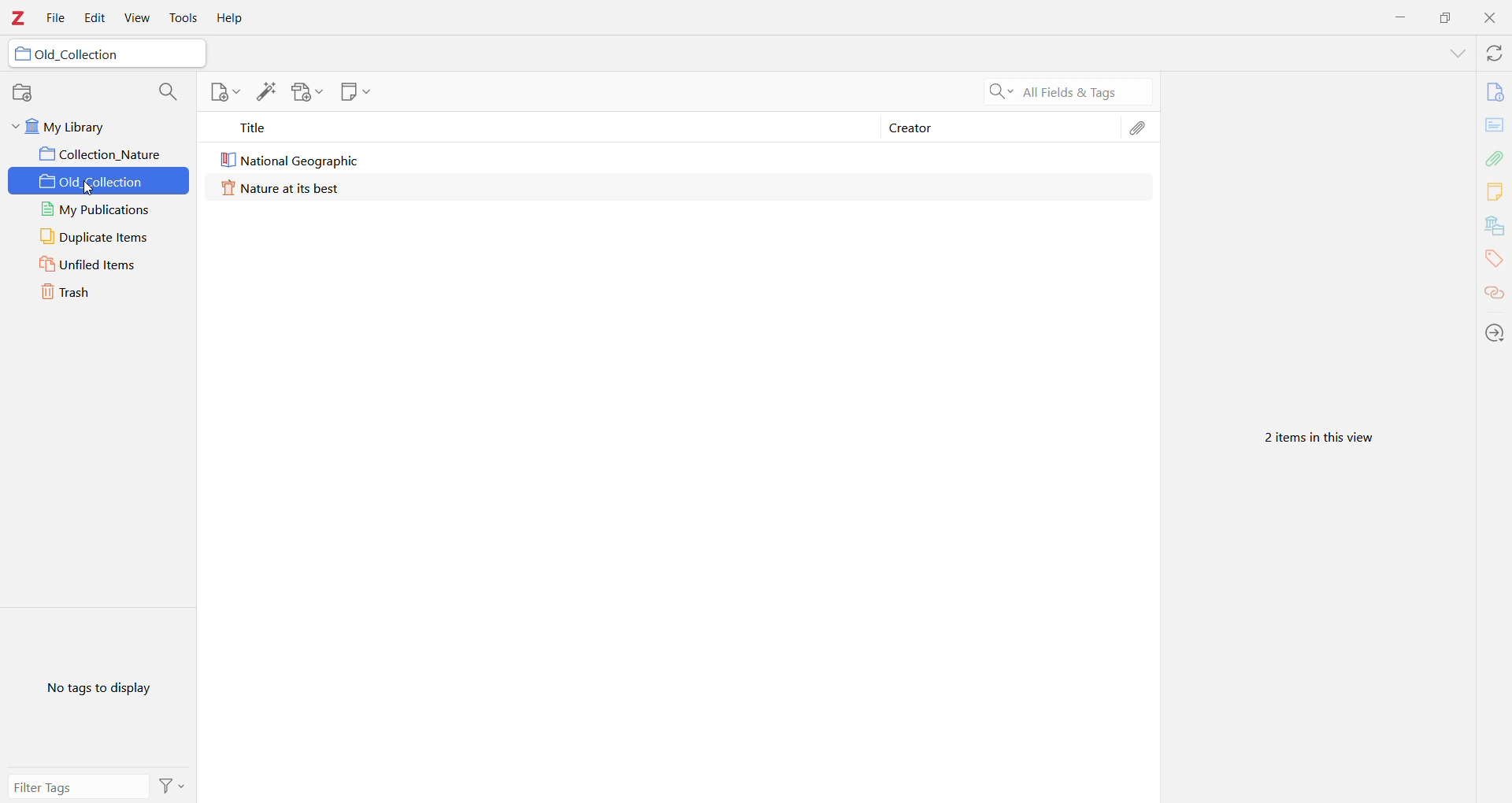  I want to click on cursor, so click(91, 189).